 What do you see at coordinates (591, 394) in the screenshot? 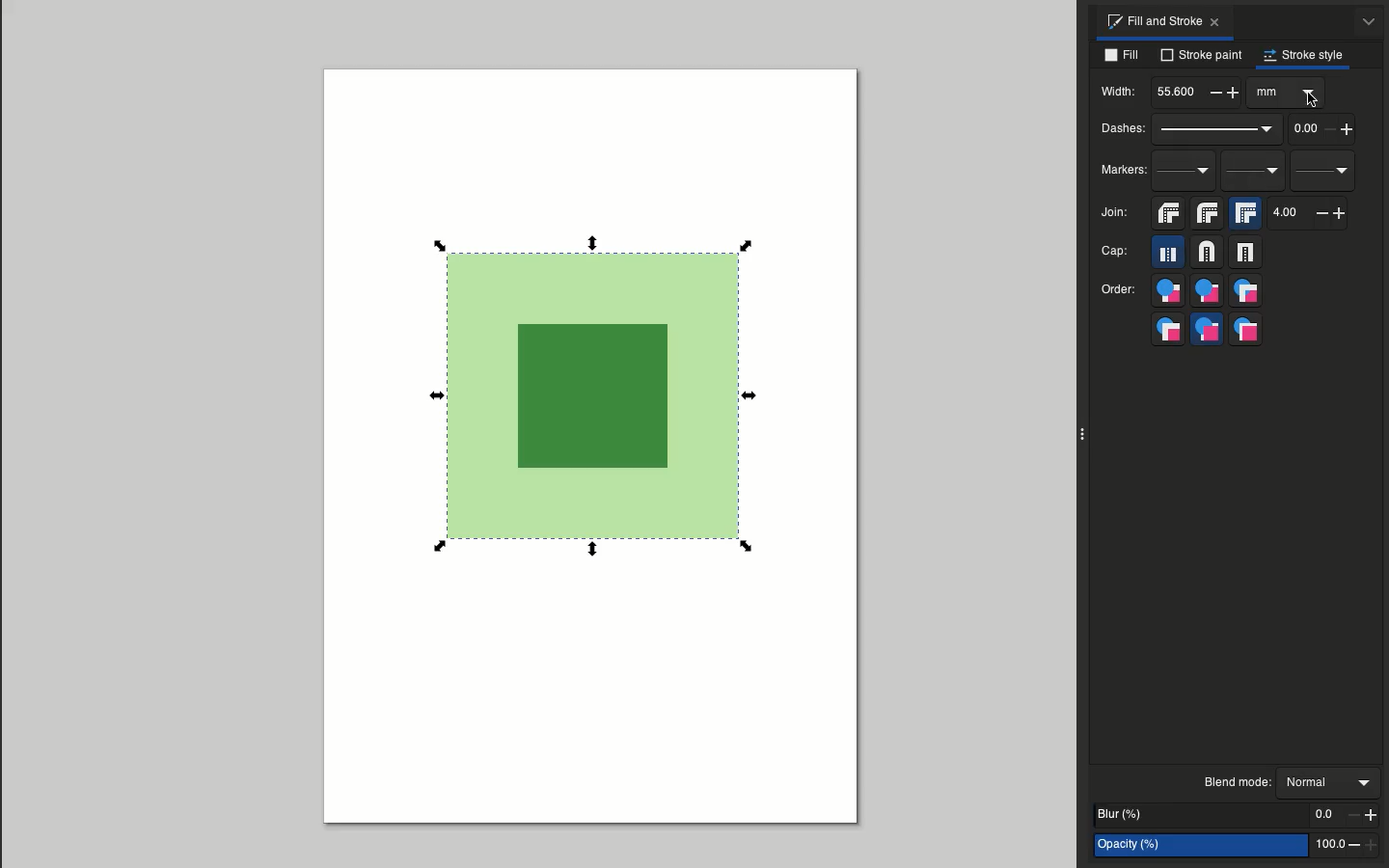
I see `Selected object` at bounding box center [591, 394].